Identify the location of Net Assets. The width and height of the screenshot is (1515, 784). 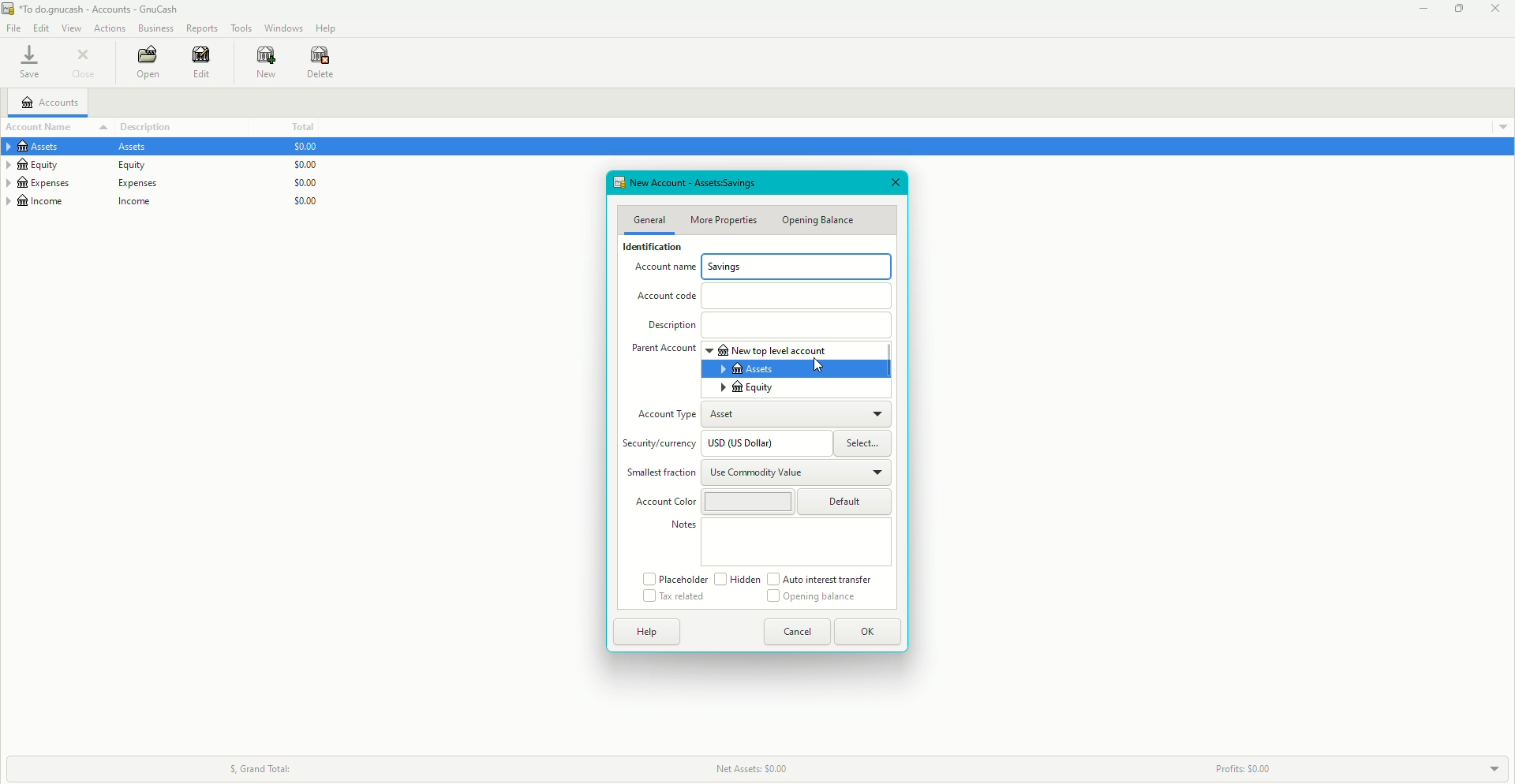
(764, 767).